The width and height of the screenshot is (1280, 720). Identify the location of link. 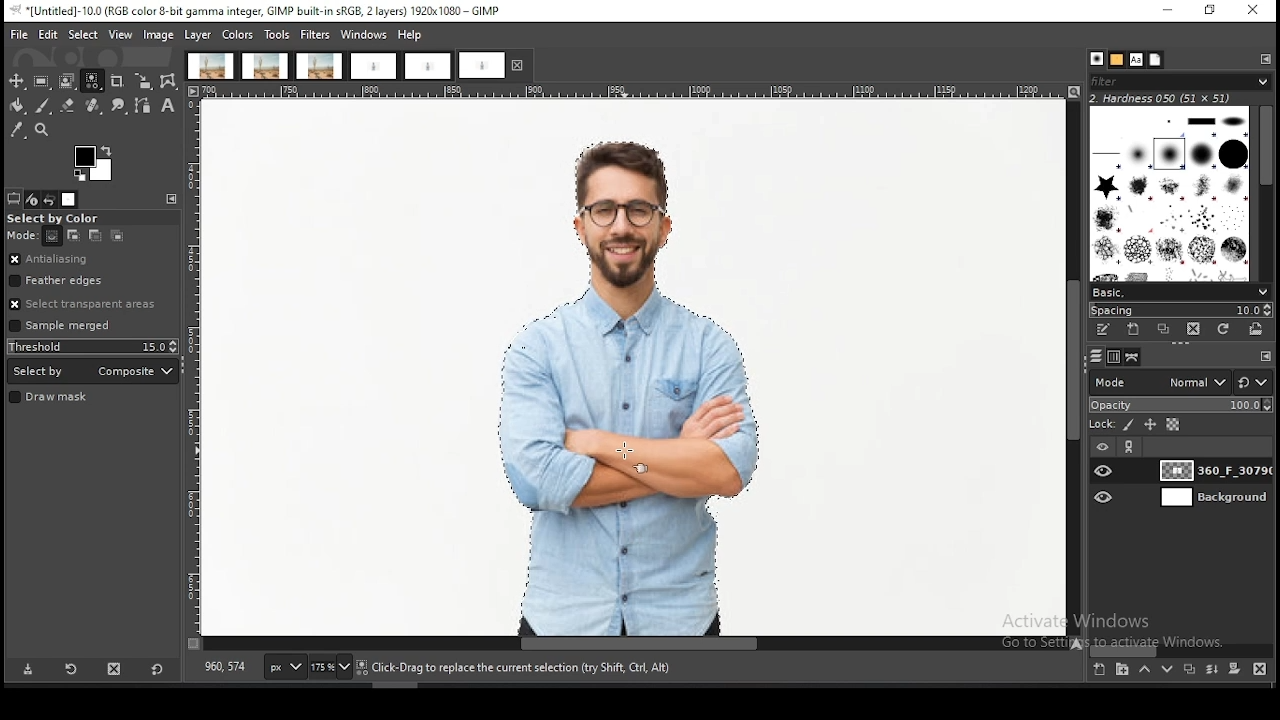
(1130, 447).